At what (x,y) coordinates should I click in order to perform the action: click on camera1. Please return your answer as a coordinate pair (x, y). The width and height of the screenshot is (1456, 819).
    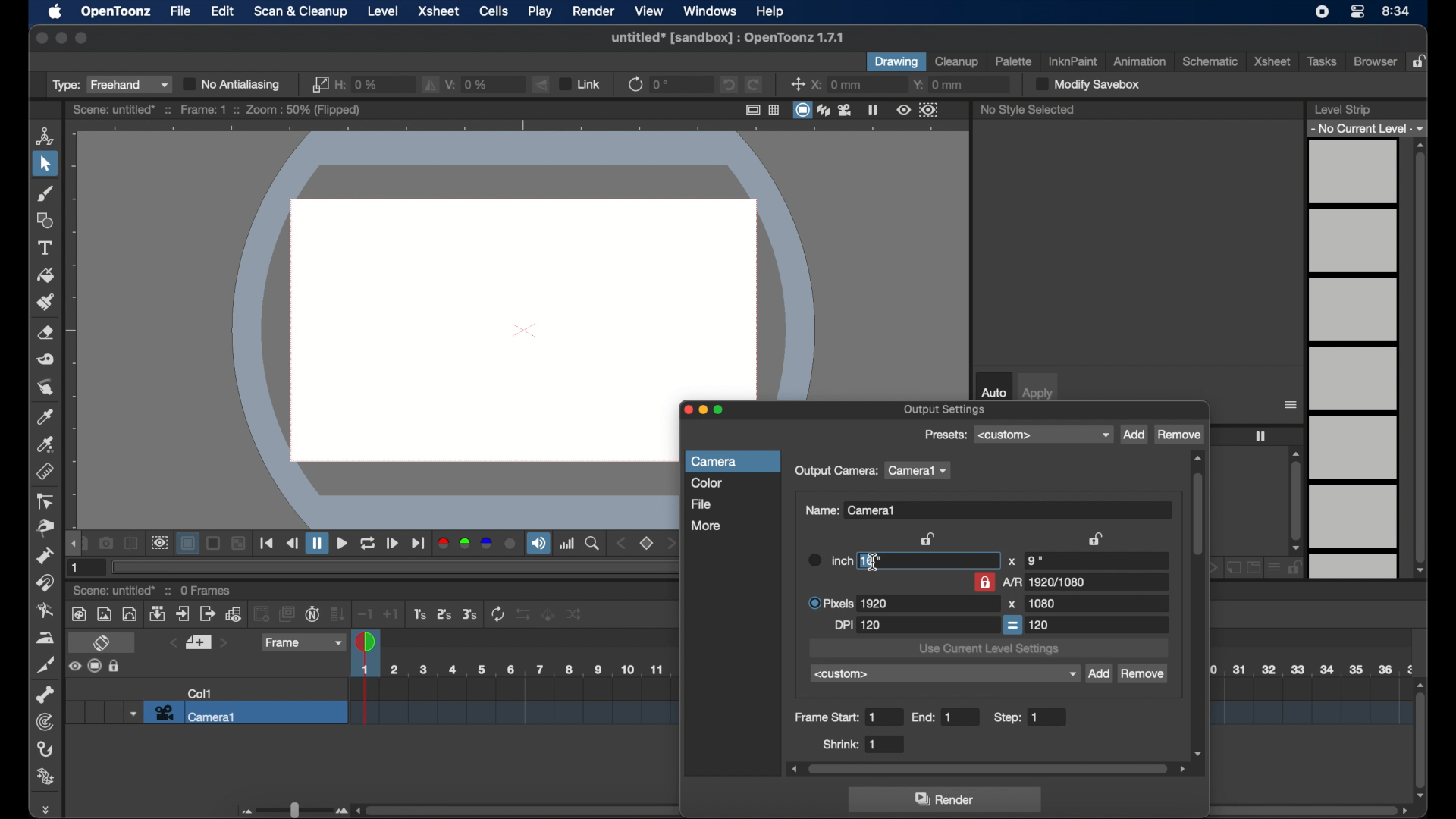
    Looking at the image, I should click on (920, 471).